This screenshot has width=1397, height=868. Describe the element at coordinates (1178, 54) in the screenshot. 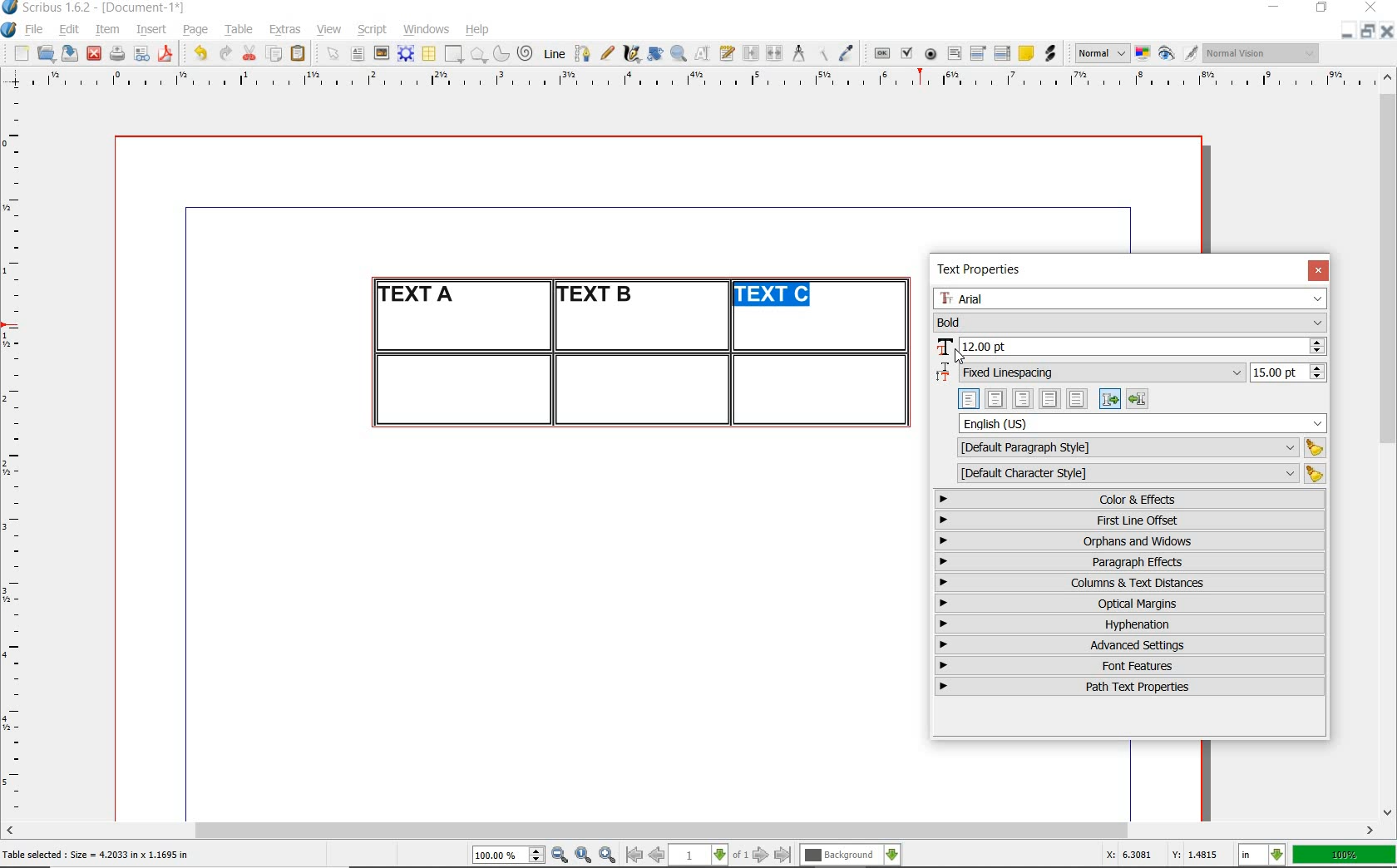

I see `preview mode` at that location.